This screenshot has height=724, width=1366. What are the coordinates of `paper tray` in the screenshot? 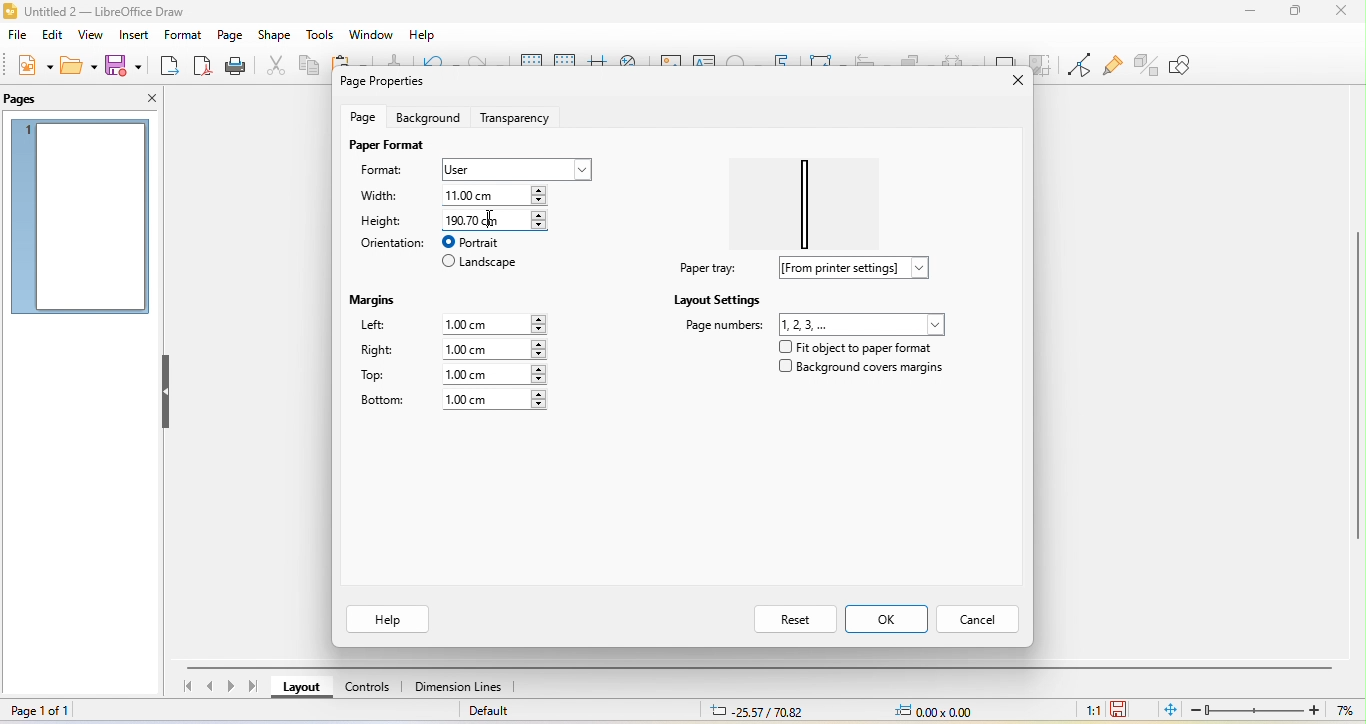 It's located at (705, 268).